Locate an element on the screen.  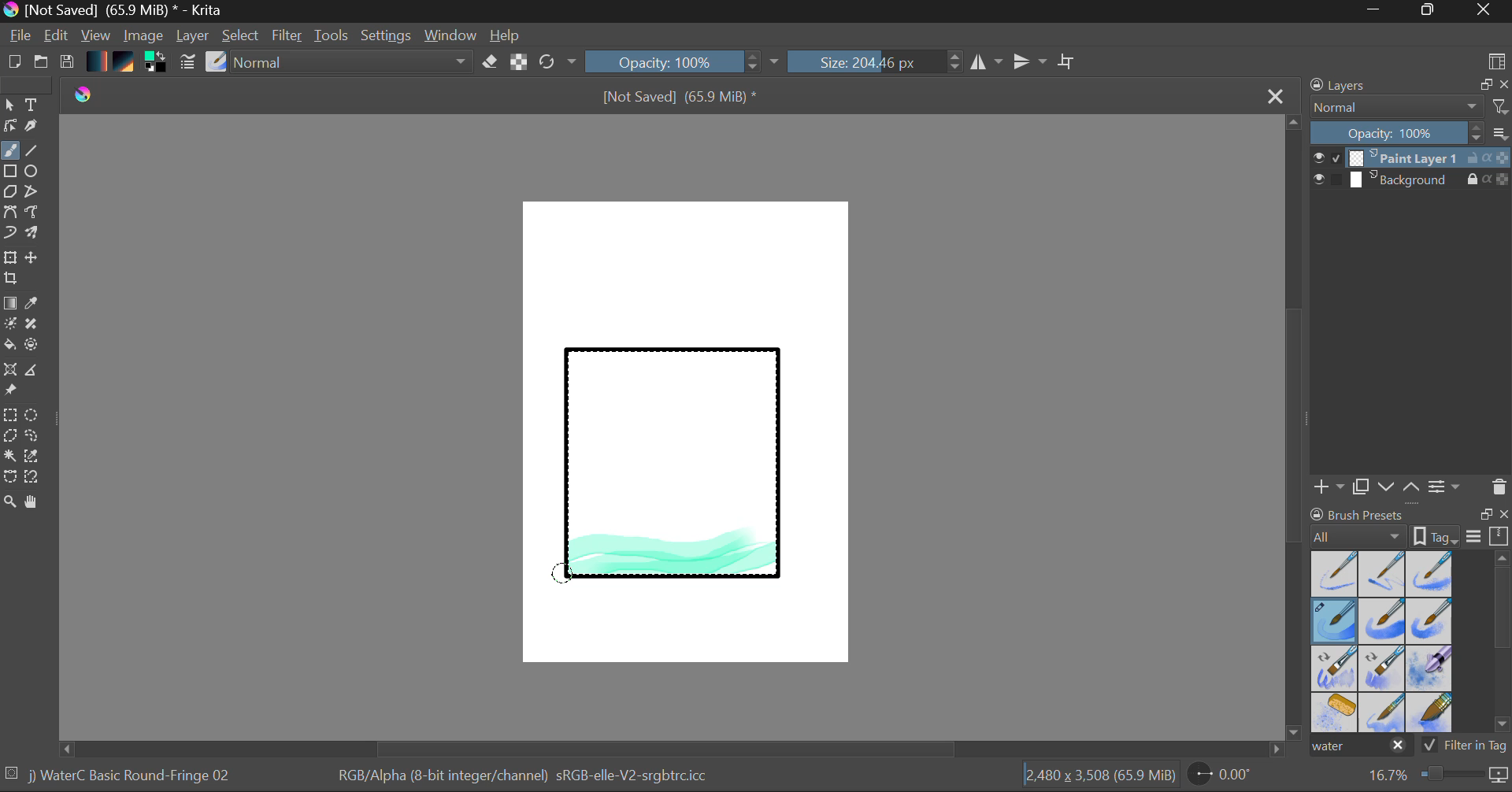
Multibrush Tool is located at coordinates (33, 235).